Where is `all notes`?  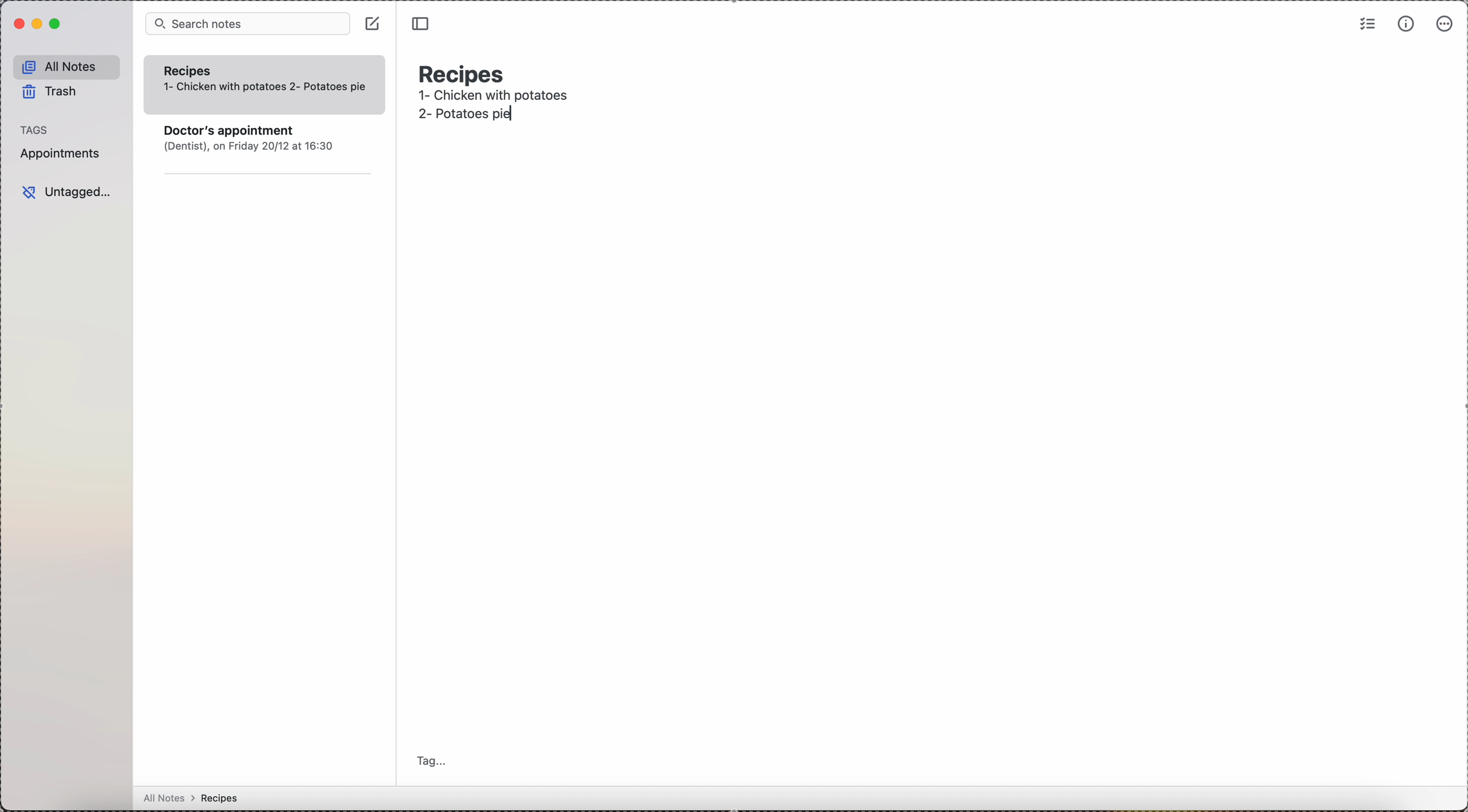
all notes is located at coordinates (67, 66).